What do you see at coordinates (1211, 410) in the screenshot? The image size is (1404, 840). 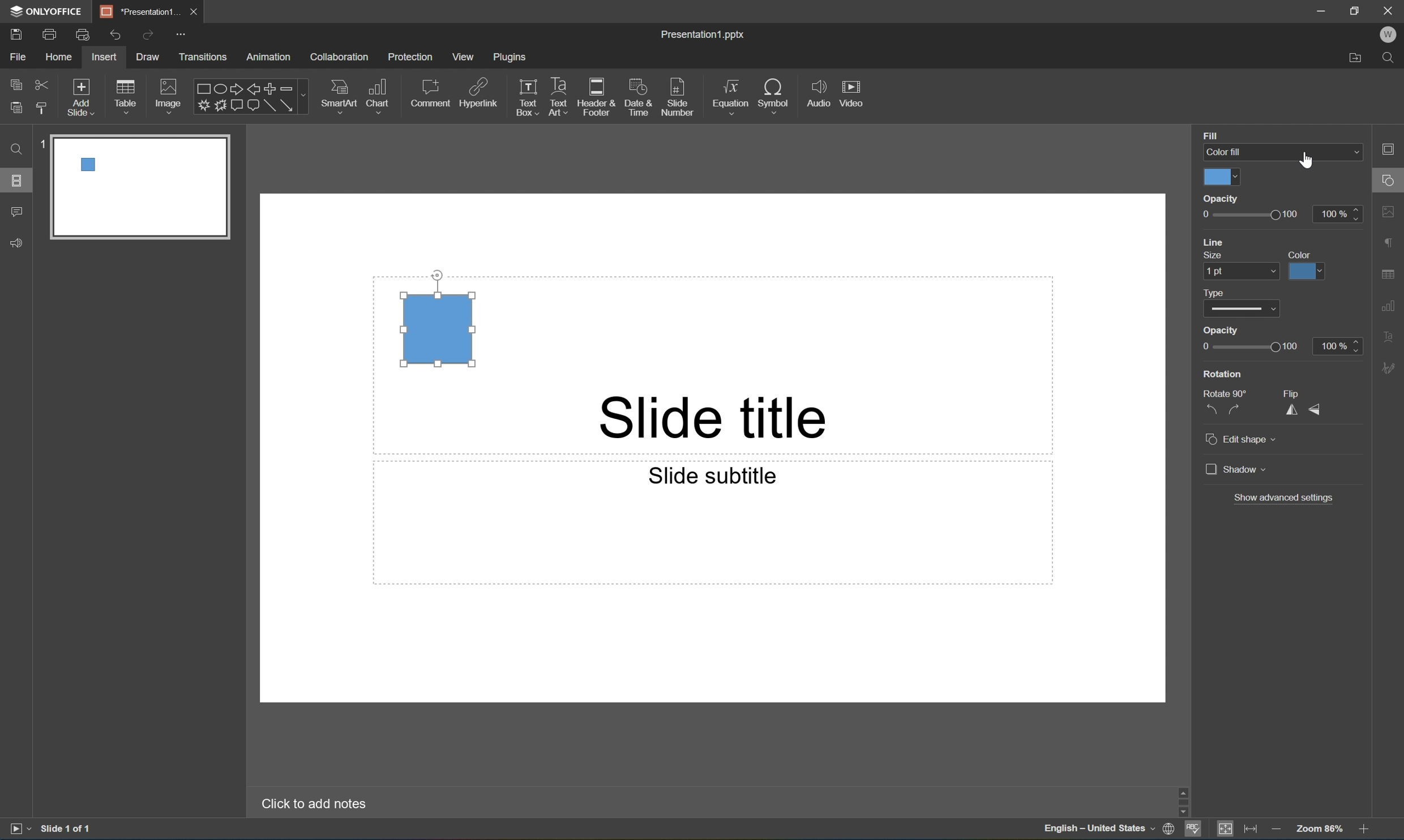 I see `Rotate 90° counterclockwise` at bounding box center [1211, 410].